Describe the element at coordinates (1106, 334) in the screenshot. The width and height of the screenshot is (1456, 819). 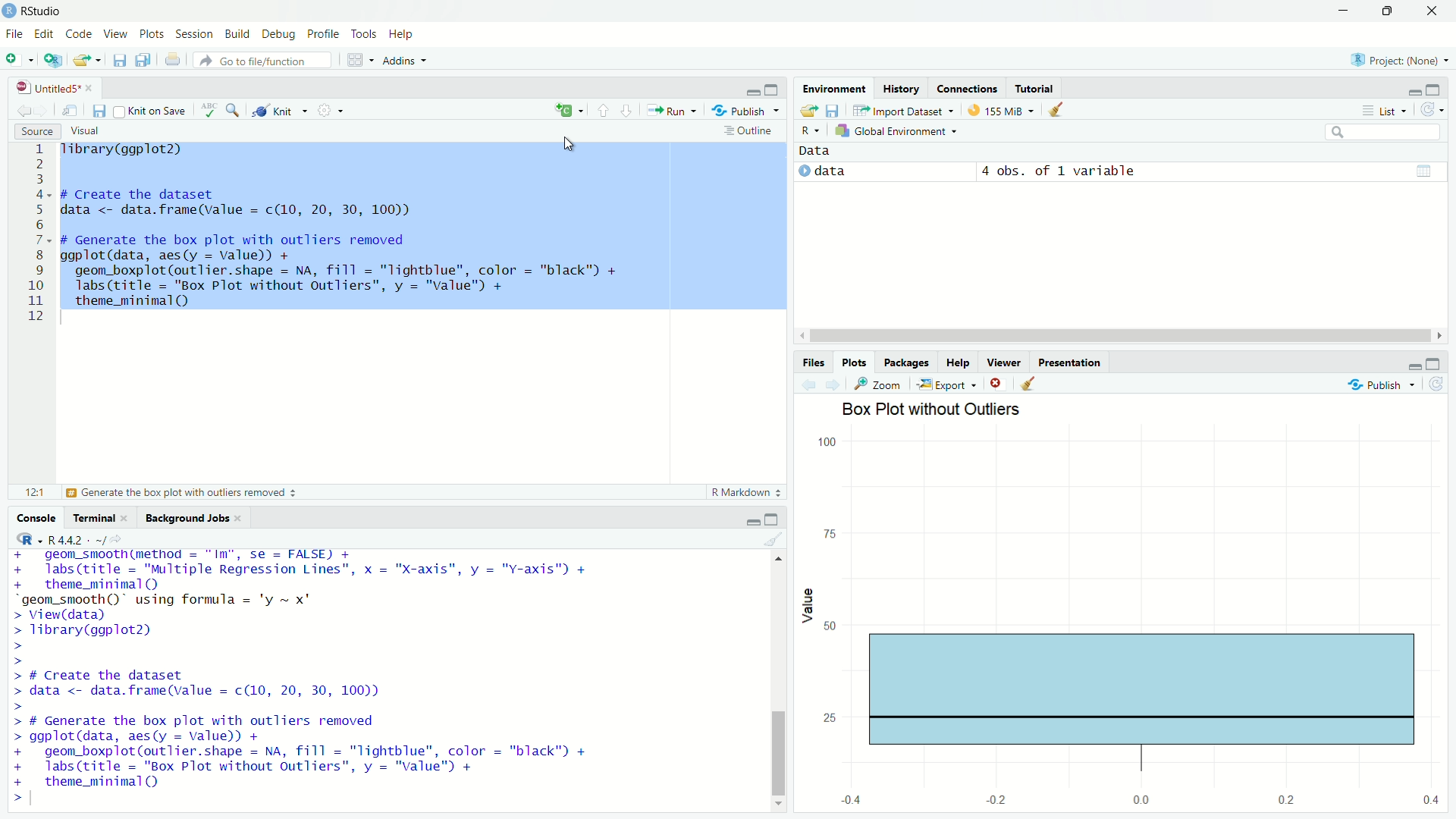
I see `scroll bar` at that location.